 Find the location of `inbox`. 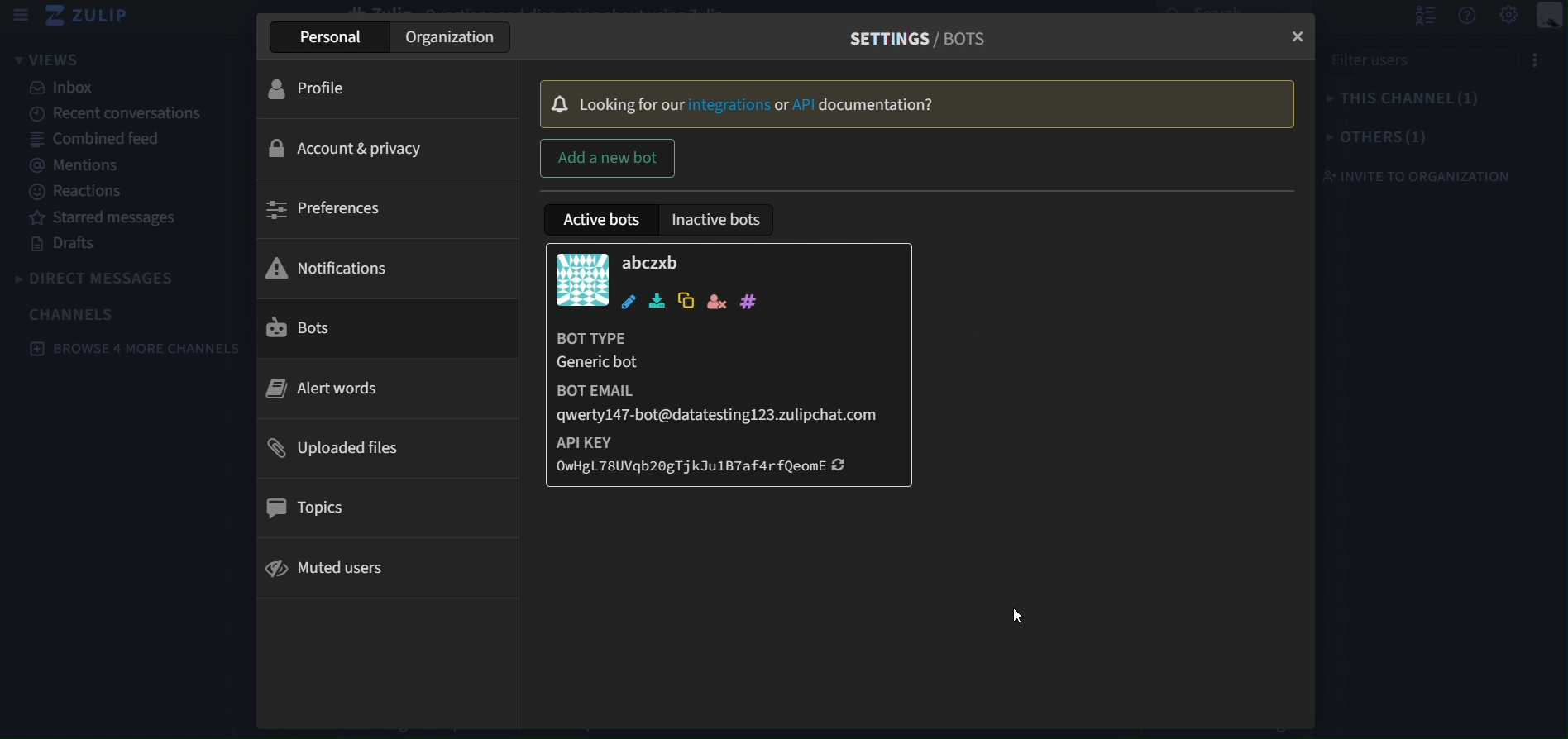

inbox is located at coordinates (69, 88).